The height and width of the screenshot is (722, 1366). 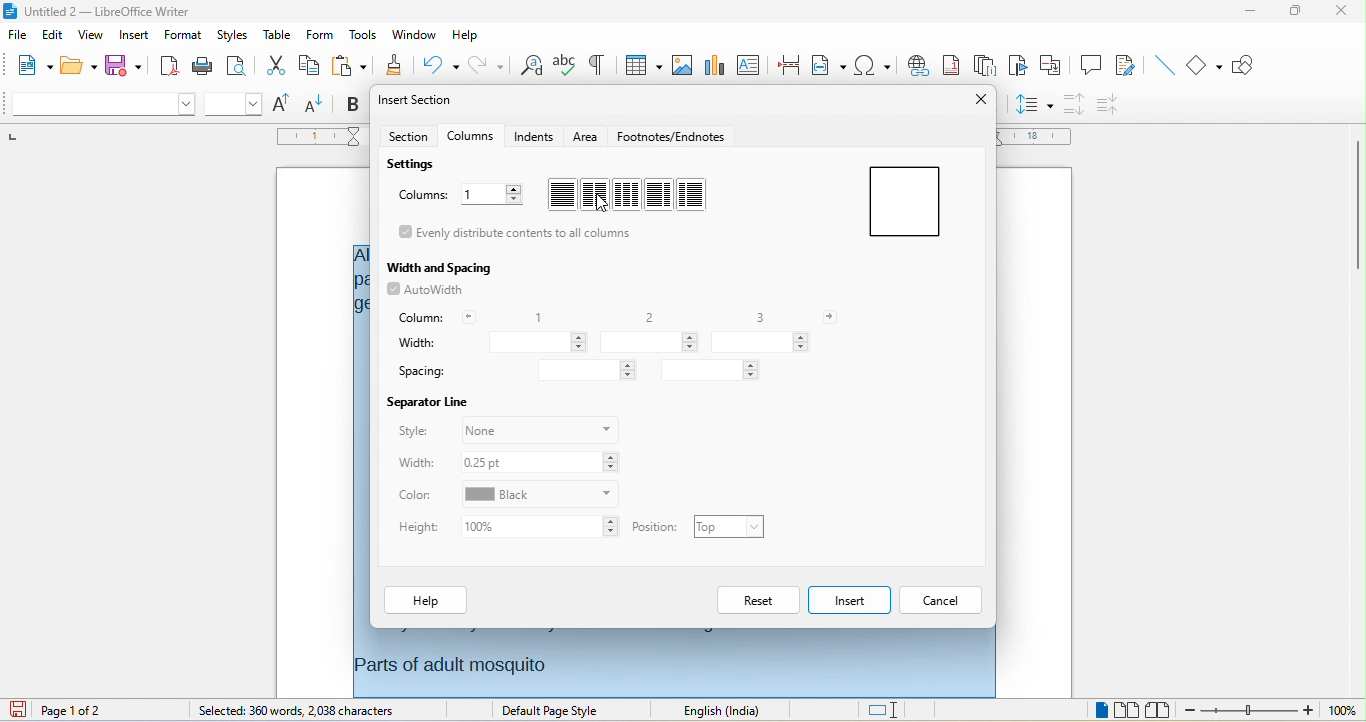 What do you see at coordinates (602, 204) in the screenshot?
I see `cursor` at bounding box center [602, 204].